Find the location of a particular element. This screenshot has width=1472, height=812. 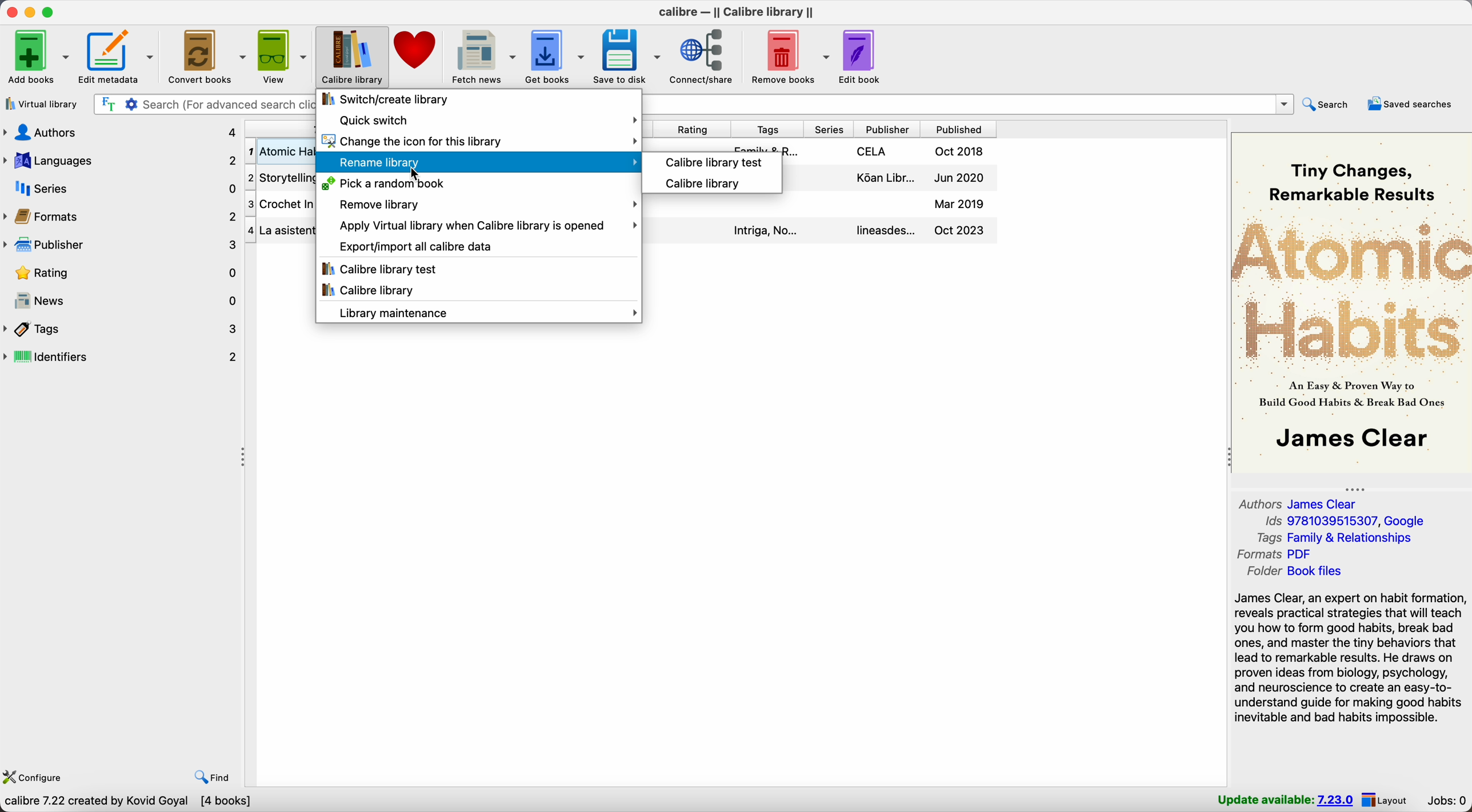

series is located at coordinates (122, 188).